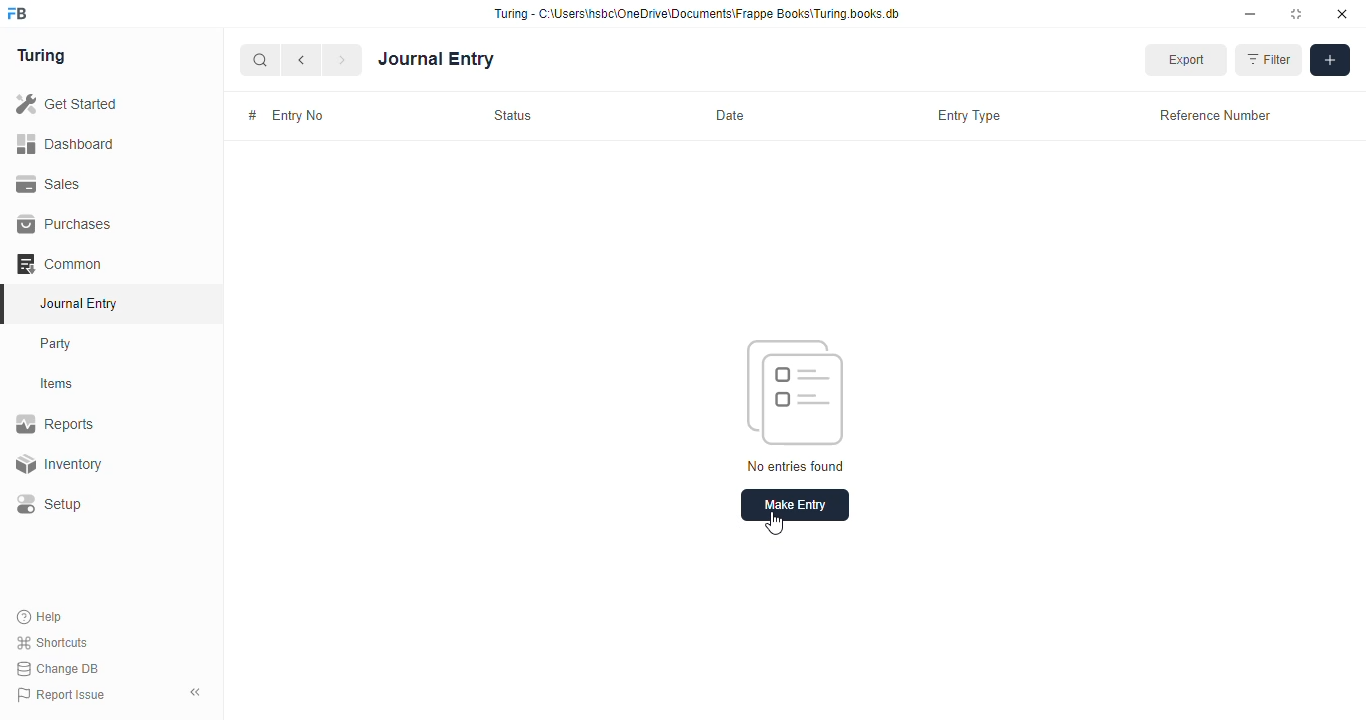  Describe the element at coordinates (56, 424) in the screenshot. I see `reports` at that location.